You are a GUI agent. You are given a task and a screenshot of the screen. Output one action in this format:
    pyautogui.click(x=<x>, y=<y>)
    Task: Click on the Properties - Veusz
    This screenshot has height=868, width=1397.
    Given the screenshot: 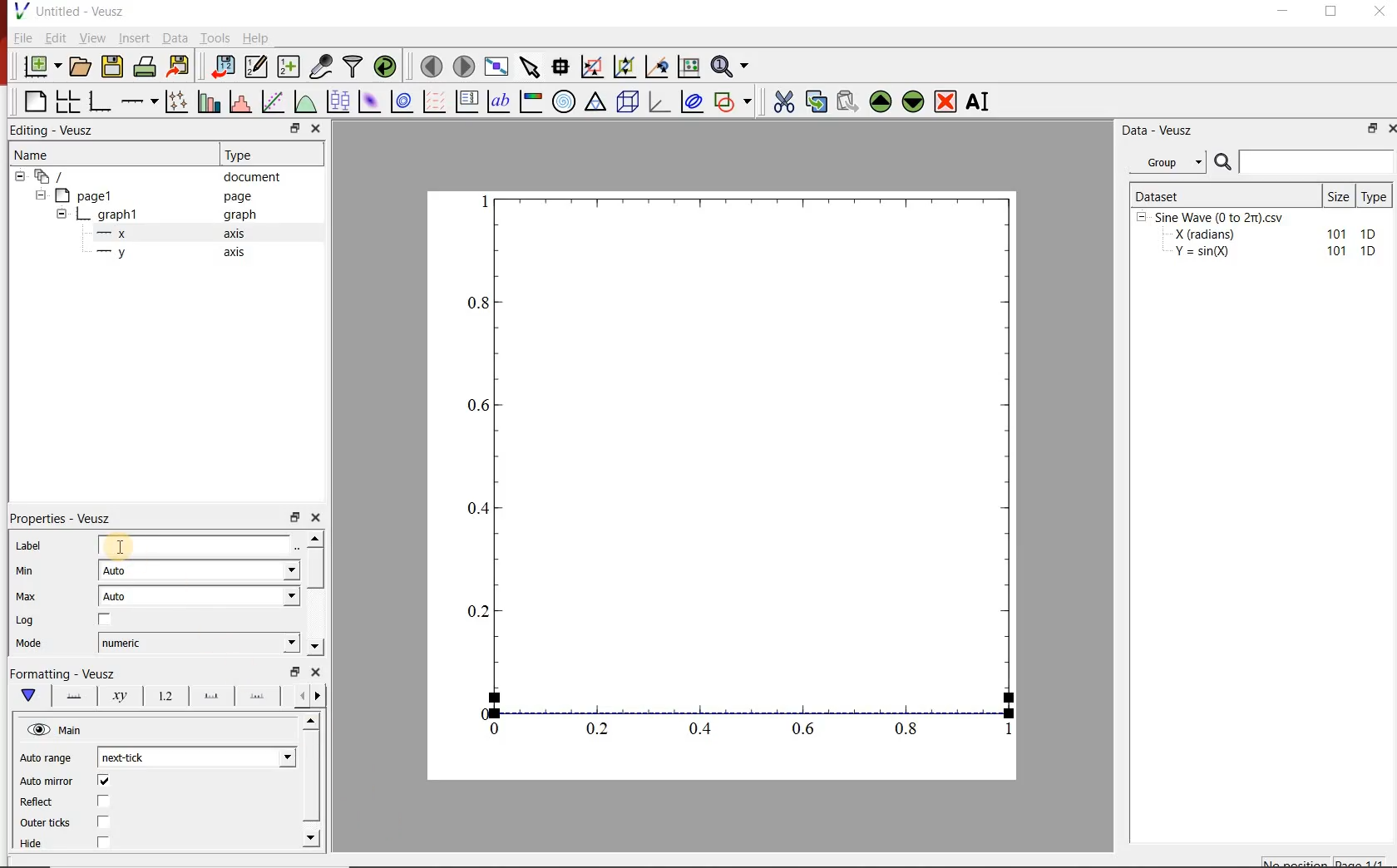 What is the action you would take?
    pyautogui.click(x=62, y=518)
    